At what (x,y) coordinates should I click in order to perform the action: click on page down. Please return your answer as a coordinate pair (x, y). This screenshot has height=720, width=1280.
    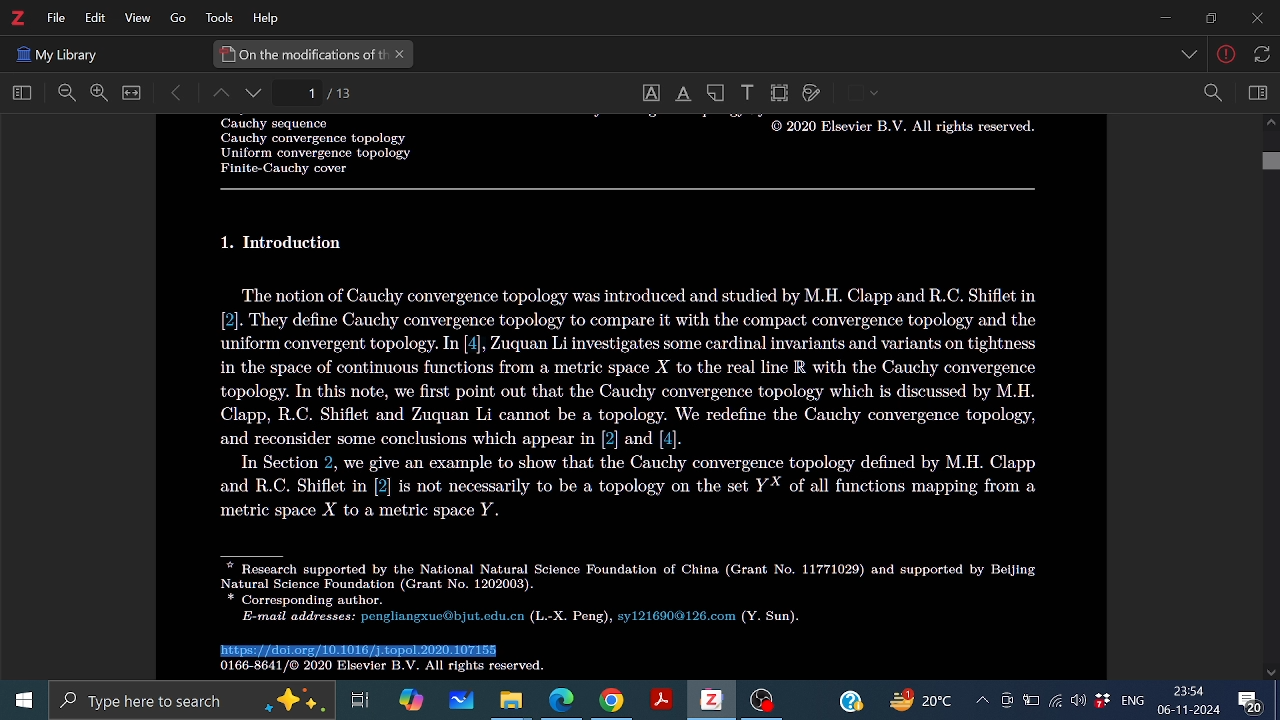
    Looking at the image, I should click on (256, 95).